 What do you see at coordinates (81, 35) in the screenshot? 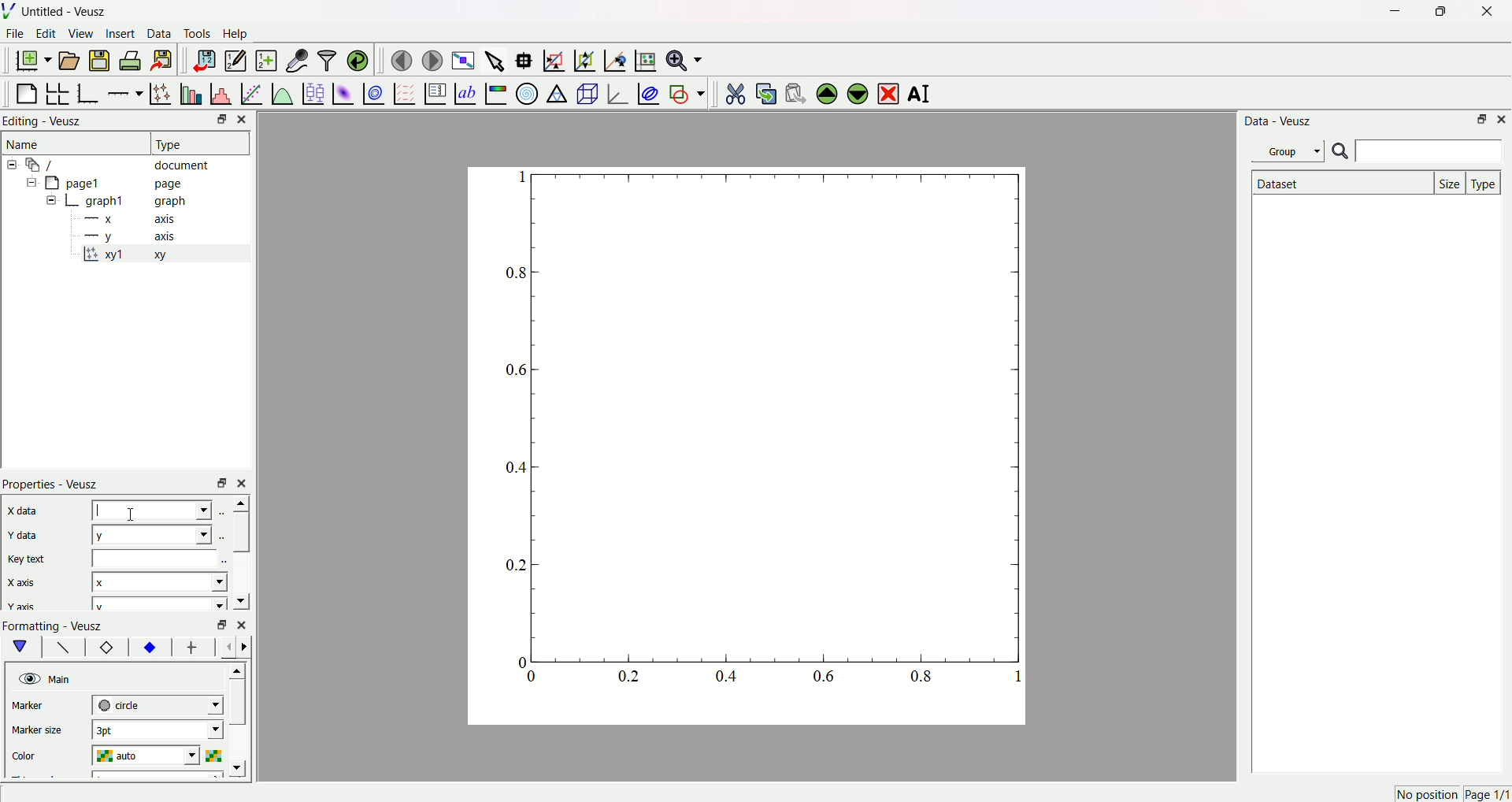
I see `View` at bounding box center [81, 35].